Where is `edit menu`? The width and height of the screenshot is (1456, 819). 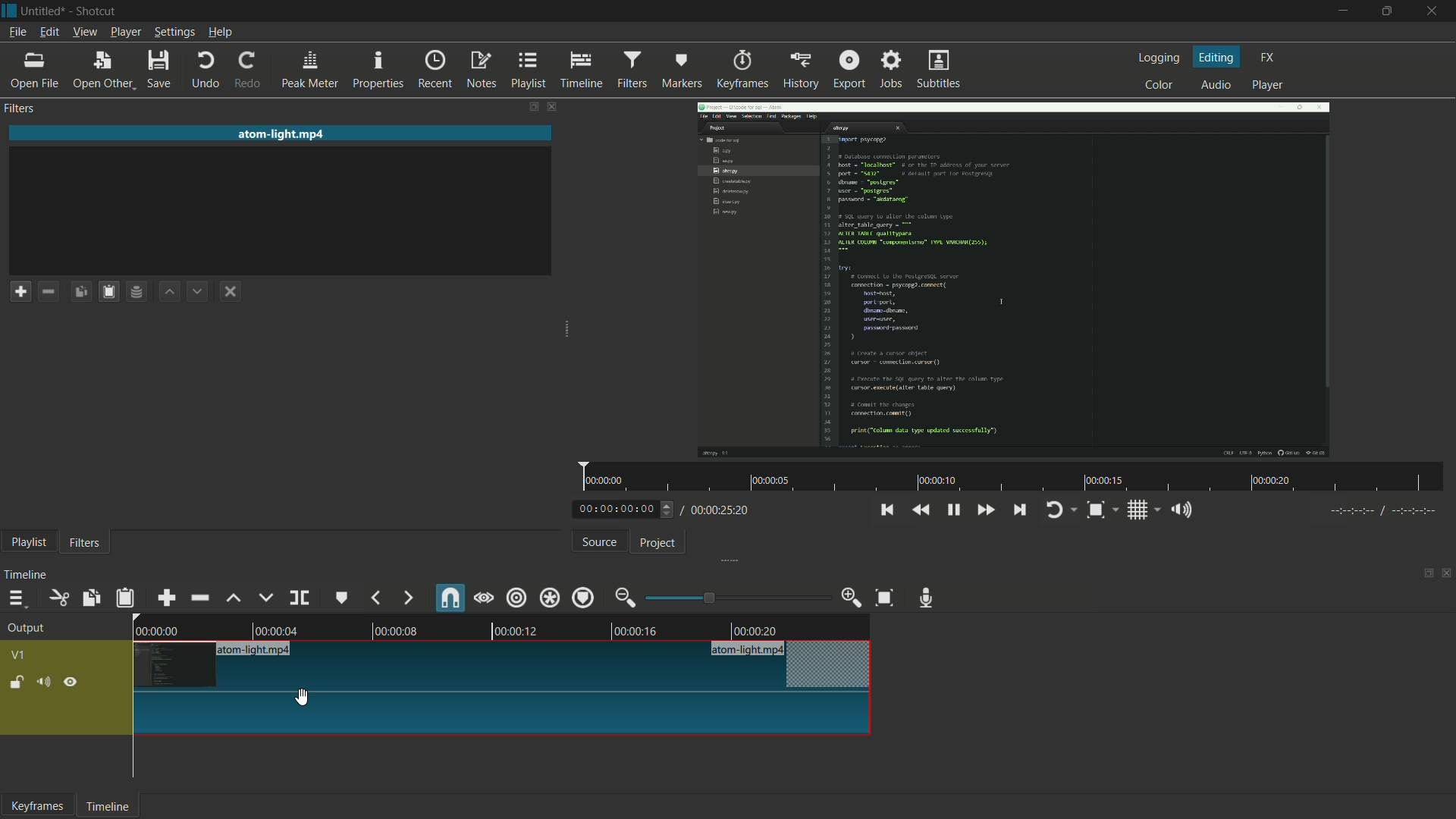
edit menu is located at coordinates (51, 31).